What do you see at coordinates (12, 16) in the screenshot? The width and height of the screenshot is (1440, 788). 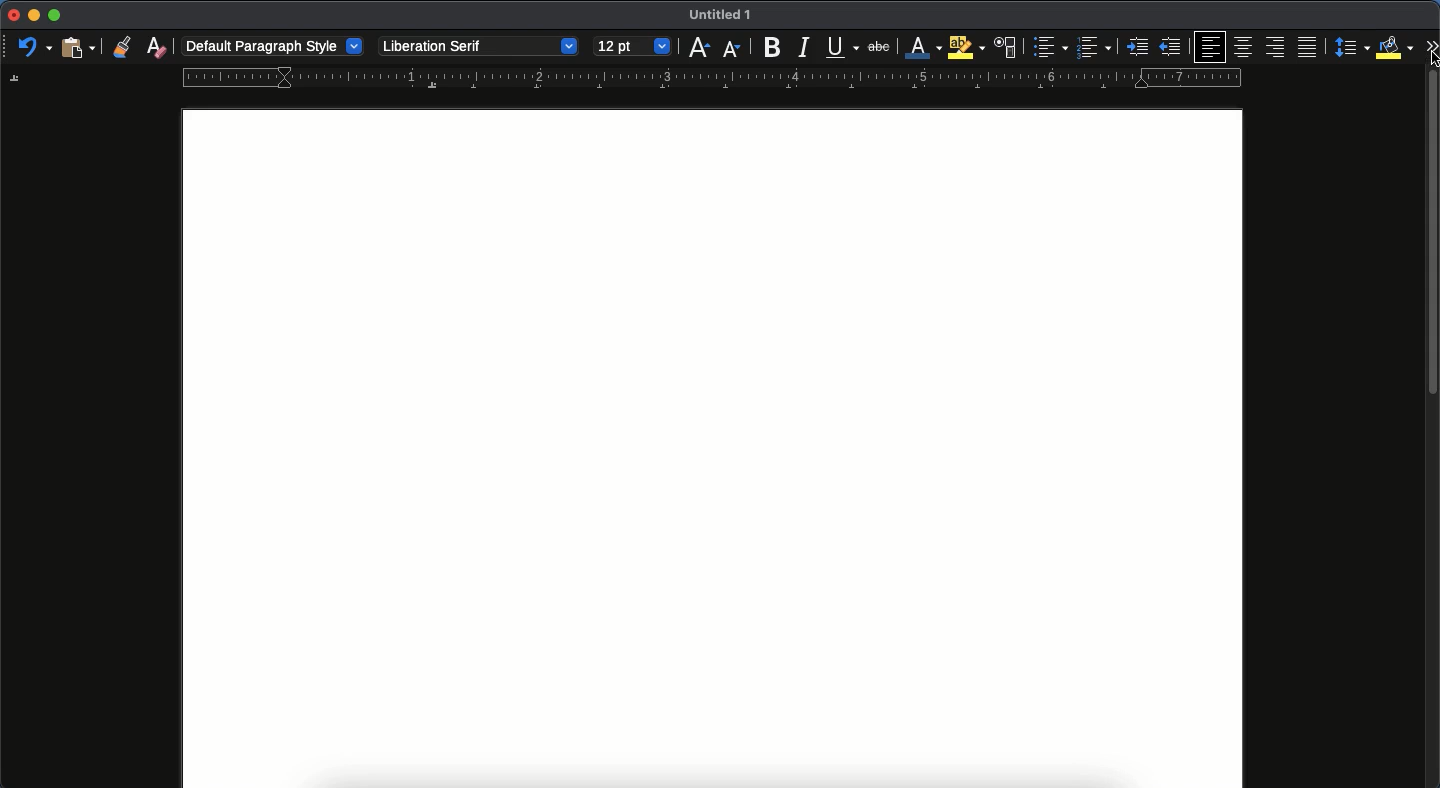 I see `close` at bounding box center [12, 16].